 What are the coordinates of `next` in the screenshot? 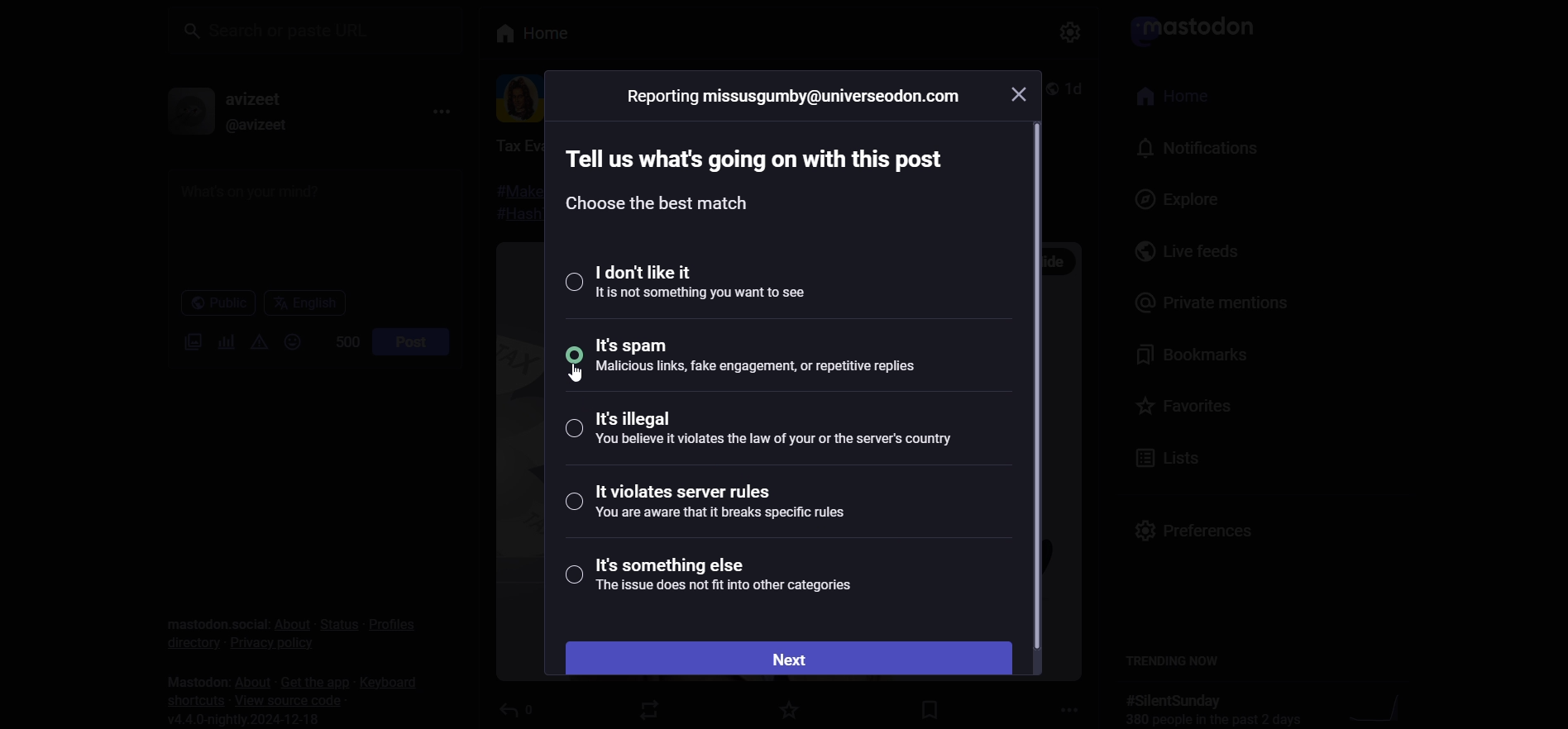 It's located at (790, 656).